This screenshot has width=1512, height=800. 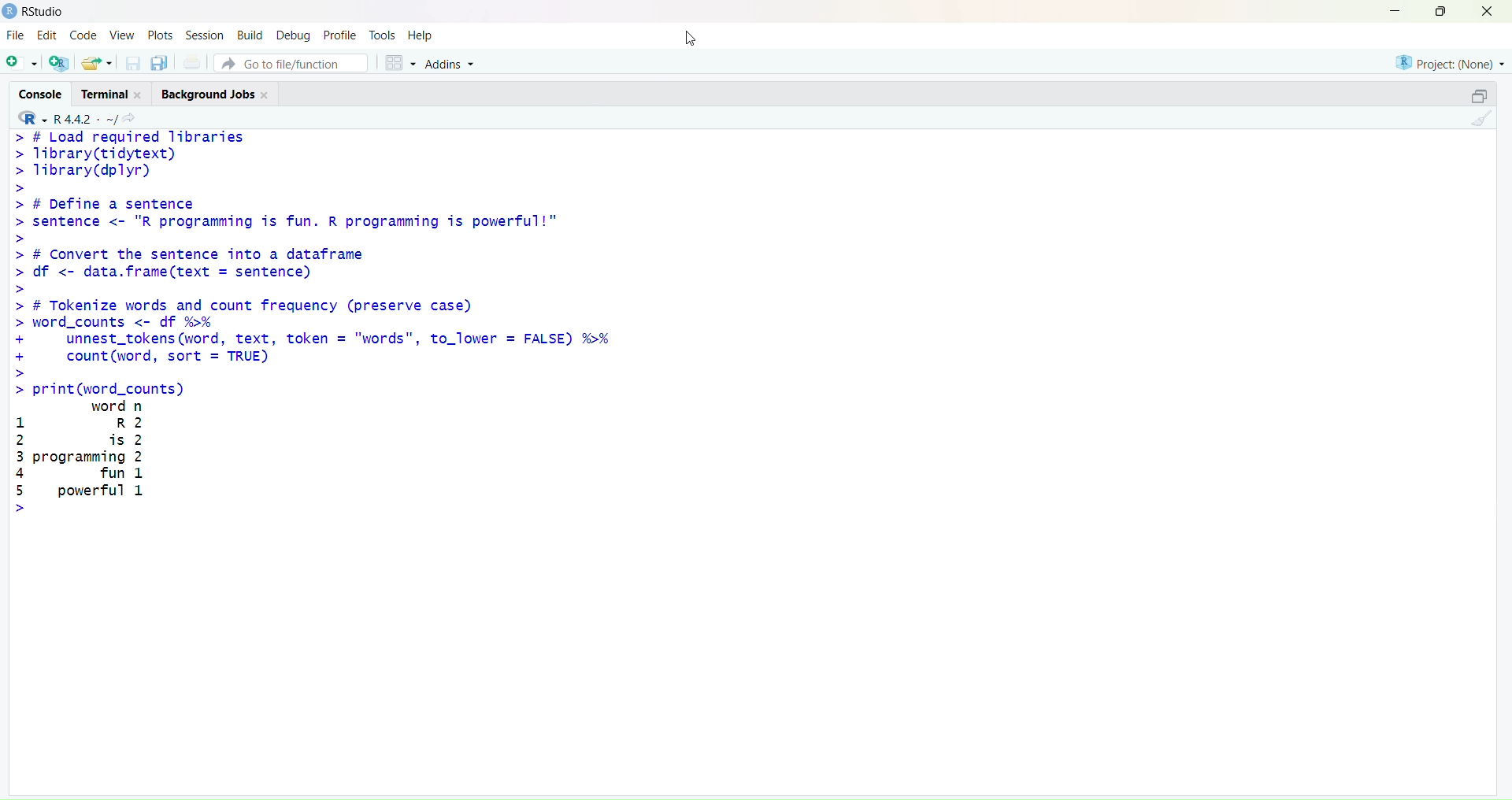 I want to click on > # Load required libraries
Tibrary(tidytext) I
Tibrary(dplyr)
# Define a sentence
sentence <- "R programming is fun. R programming is powerful!"
# Convert the sentence into a dataframe
df <- data.frame(text = sentence)
# Tokenize words and count frequency (preserve case)
word_counts <- df %>%
unnest_tokens (word, text, token = "words", to_lower = FALSE) %>%
count (word, sort = TRUE), so click(x=361, y=254).